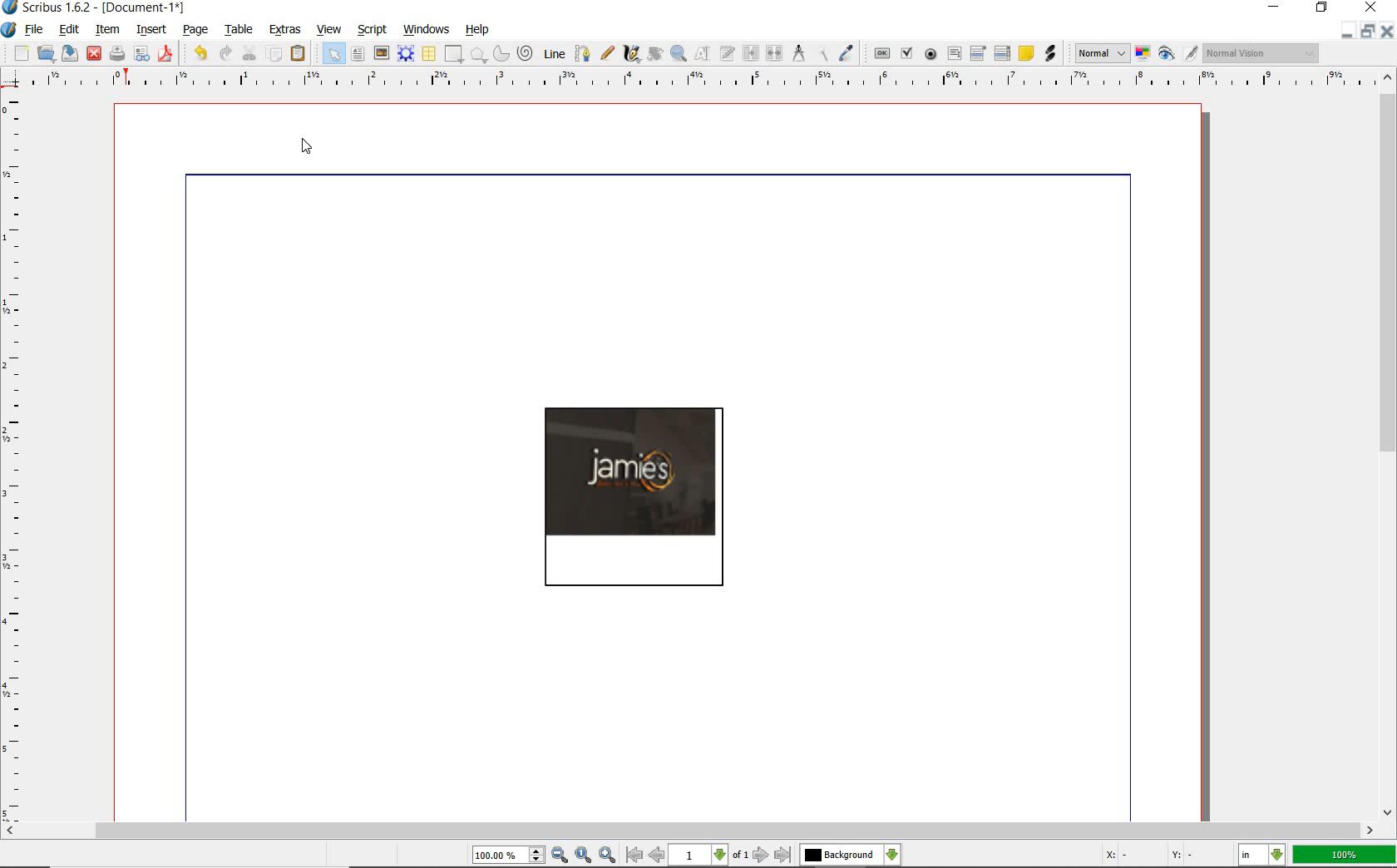  What do you see at coordinates (560, 855) in the screenshot?
I see `Zoom Out` at bounding box center [560, 855].